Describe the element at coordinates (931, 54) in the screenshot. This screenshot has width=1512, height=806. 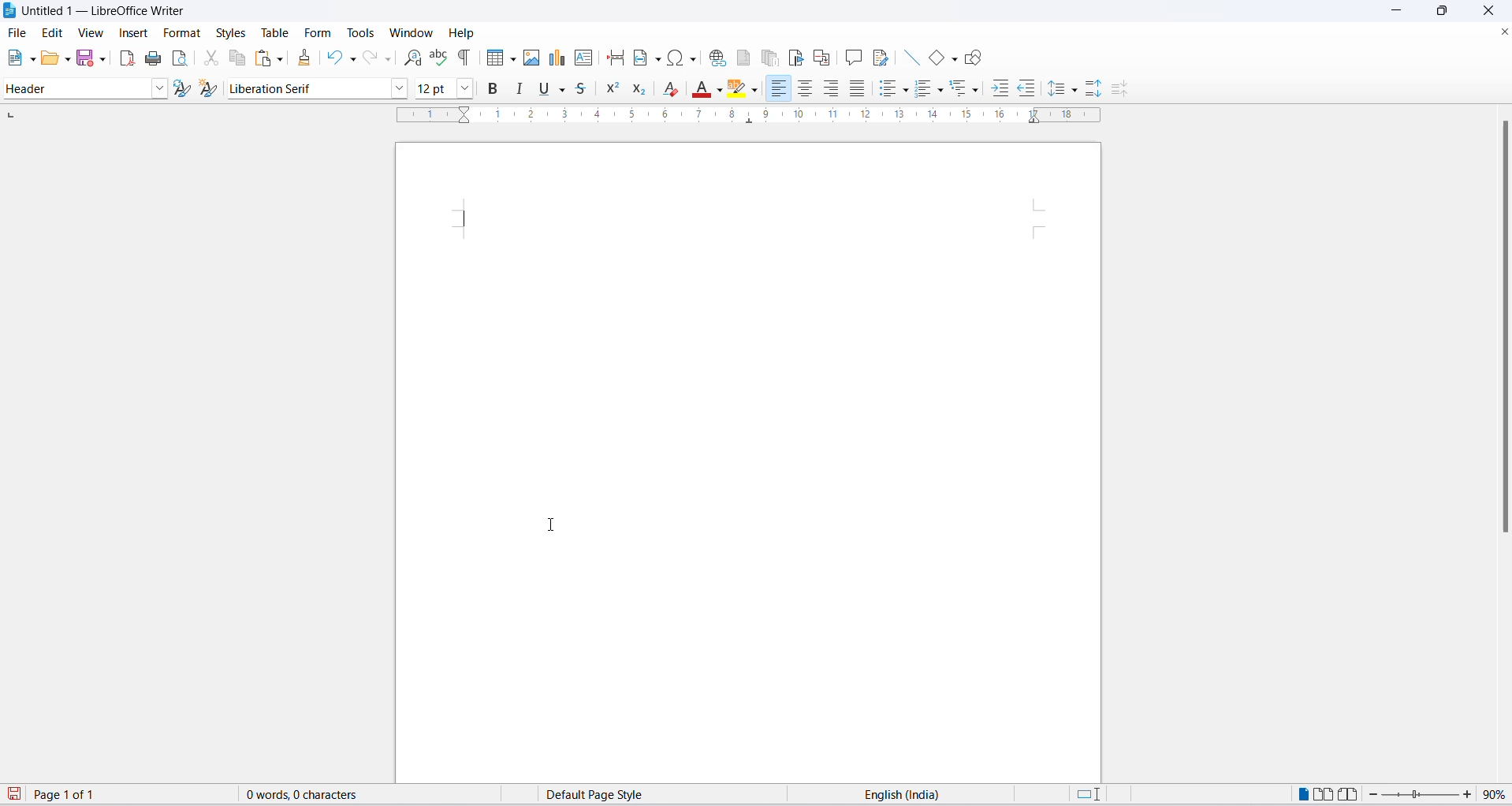
I see `basic shapes` at that location.